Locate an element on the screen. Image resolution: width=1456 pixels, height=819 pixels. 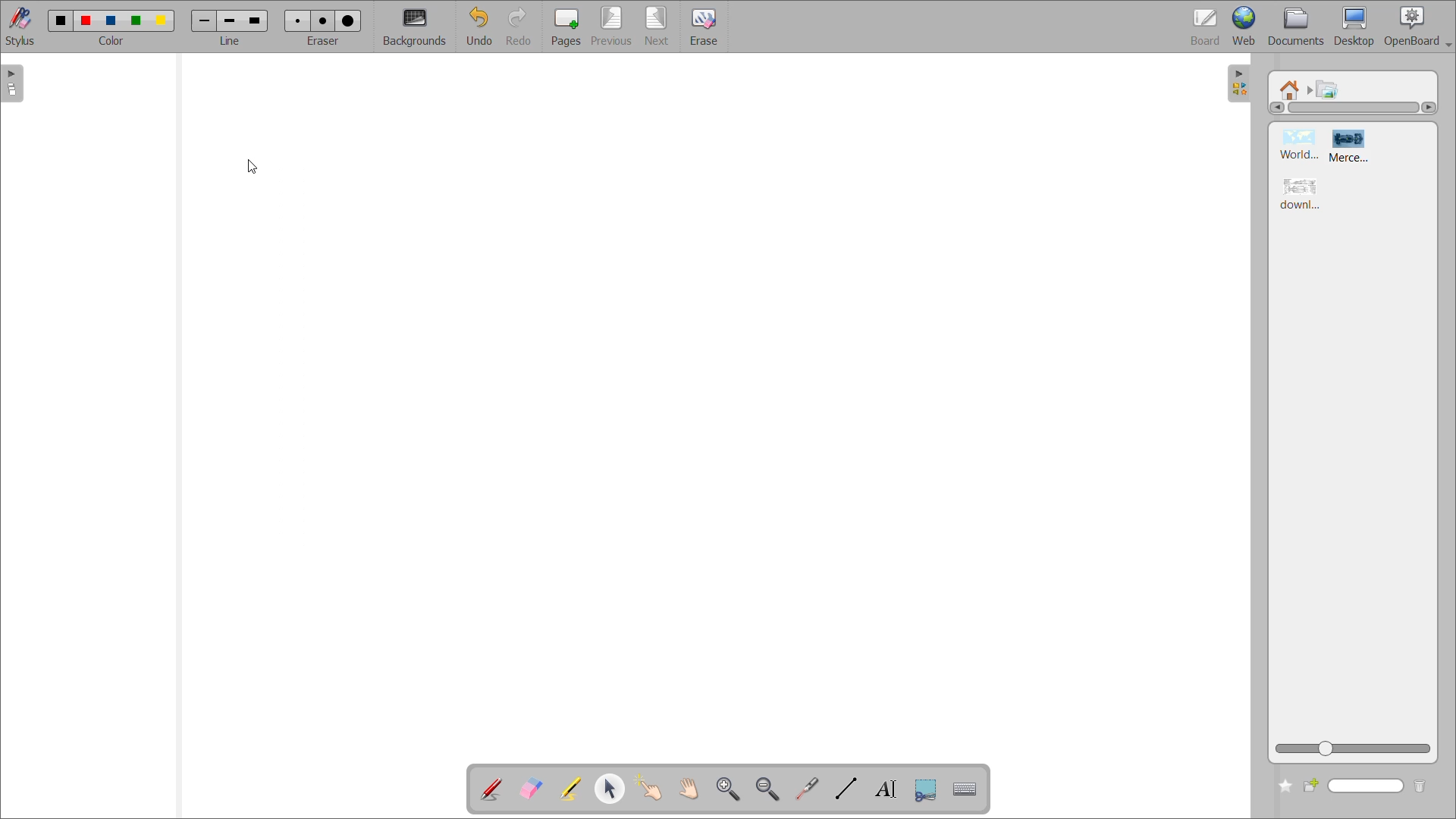
board is located at coordinates (1200, 27).